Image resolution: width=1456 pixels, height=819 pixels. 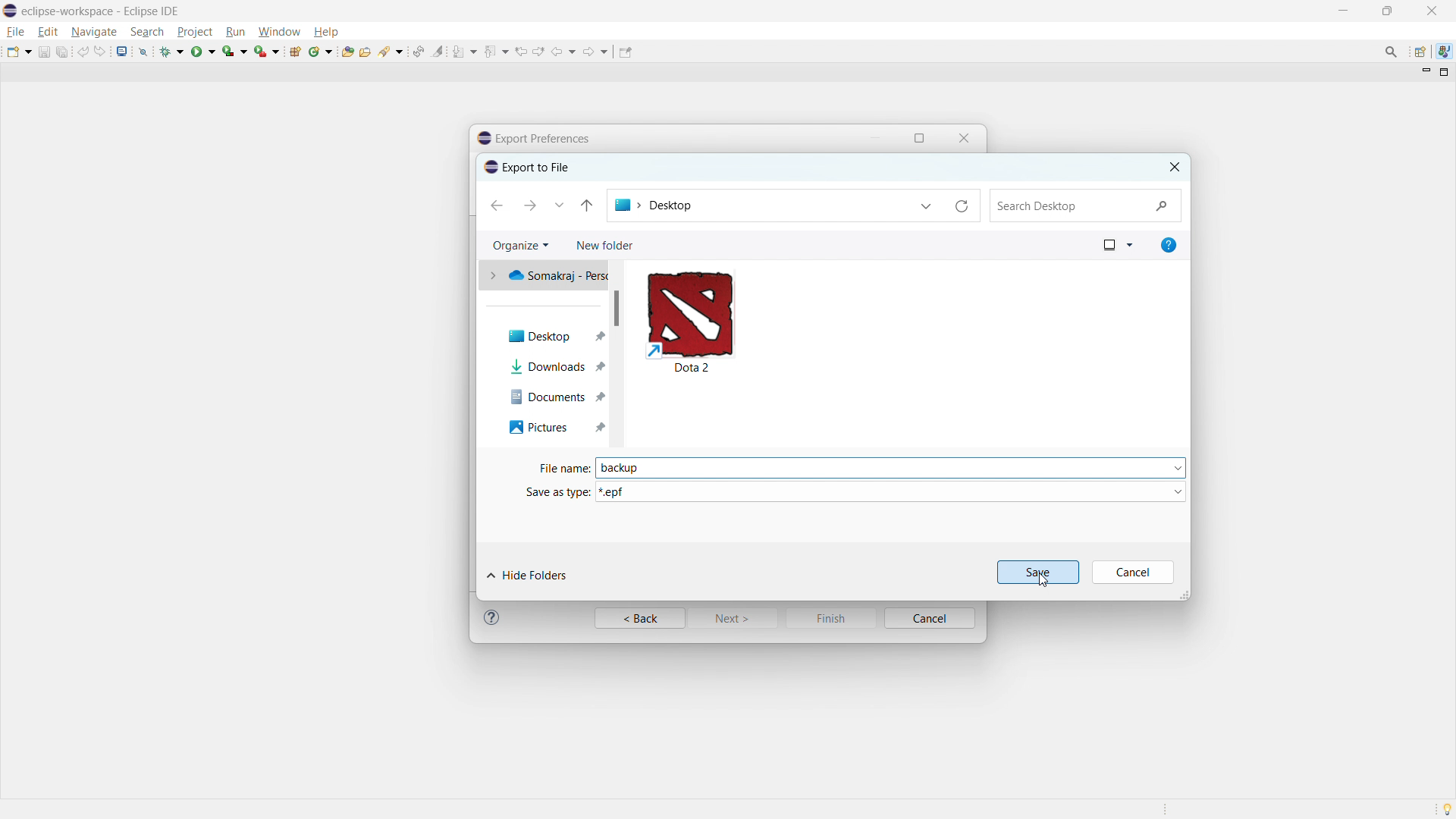 What do you see at coordinates (494, 619) in the screenshot?
I see `Information` at bounding box center [494, 619].